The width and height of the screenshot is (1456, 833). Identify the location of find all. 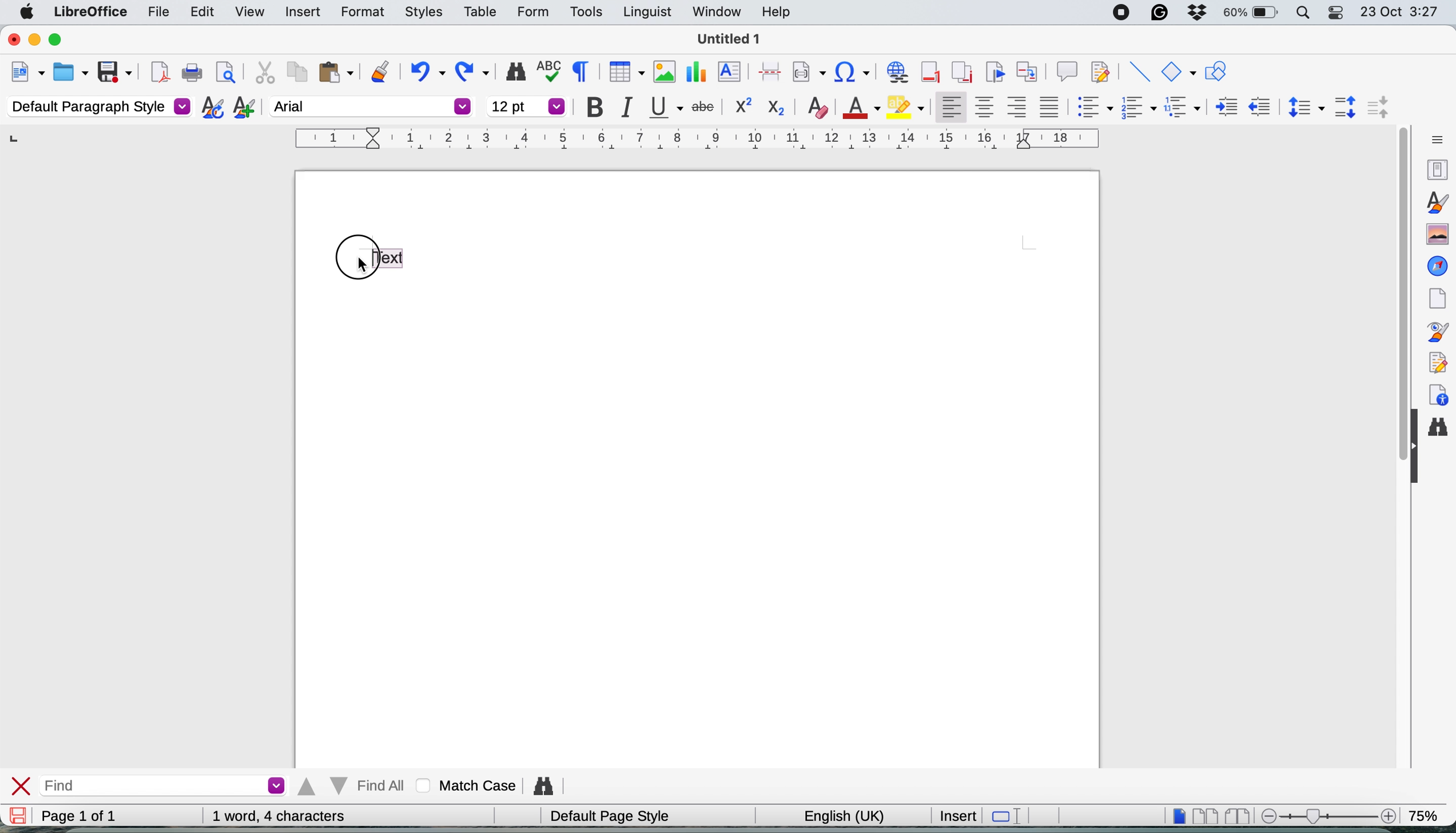
(350, 786).